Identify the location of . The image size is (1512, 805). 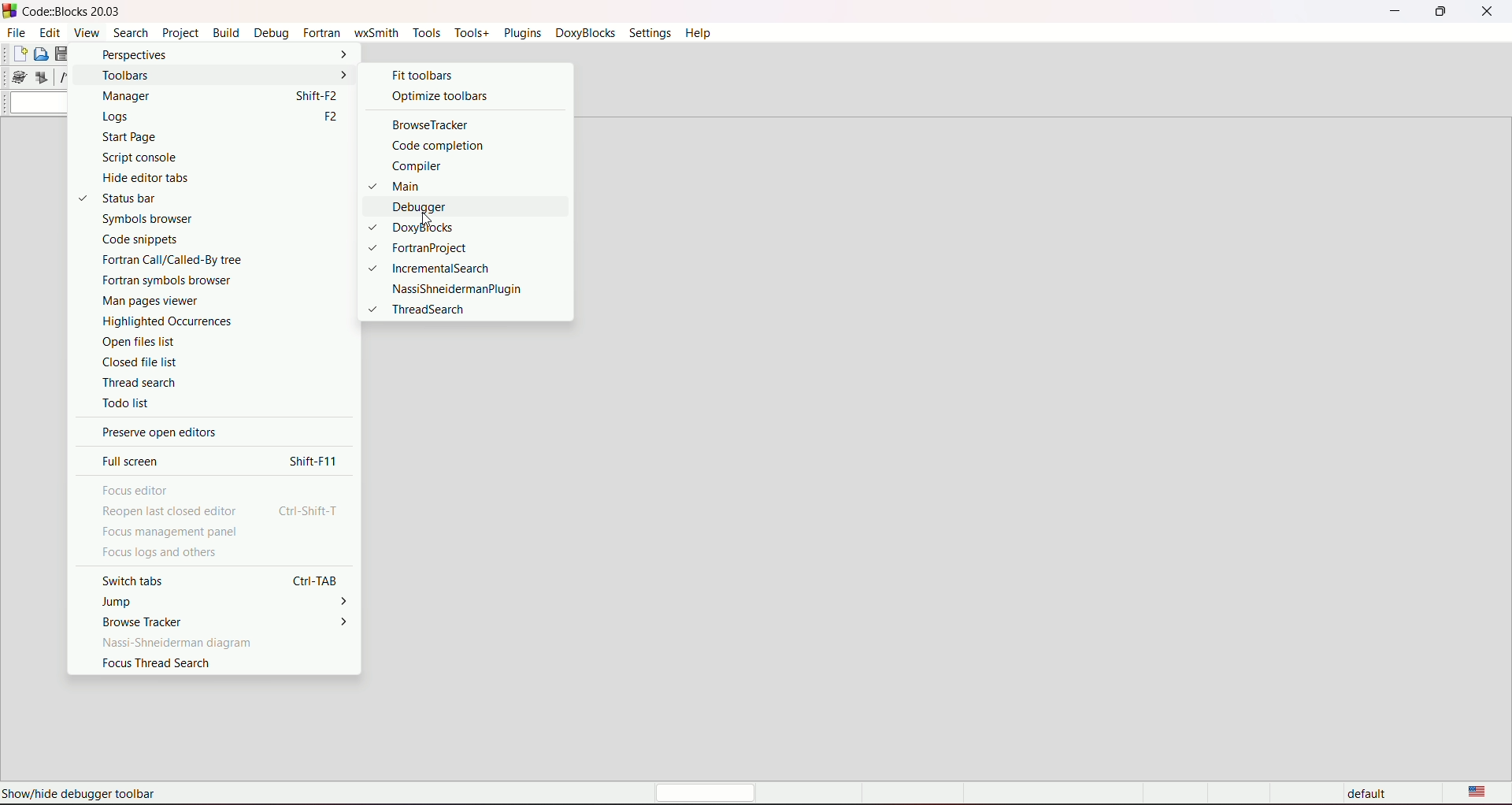
(1479, 794).